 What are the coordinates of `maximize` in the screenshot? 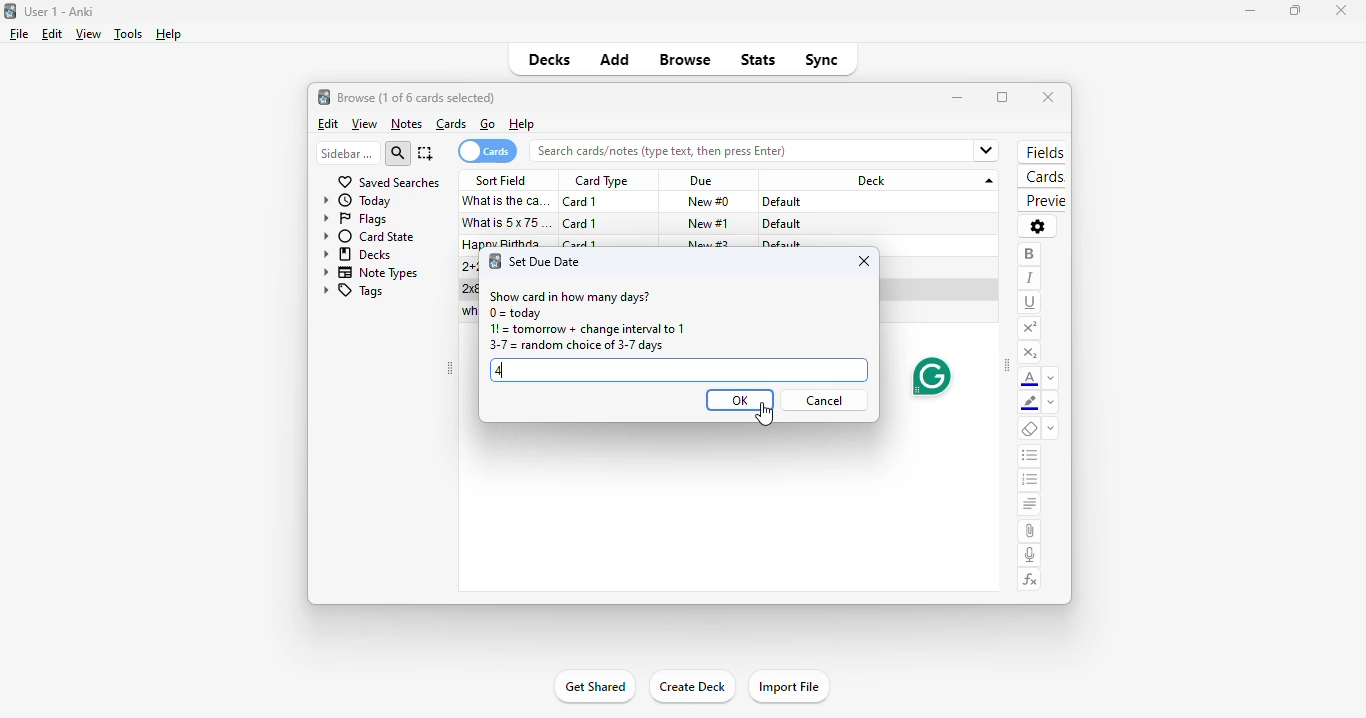 It's located at (1002, 97).